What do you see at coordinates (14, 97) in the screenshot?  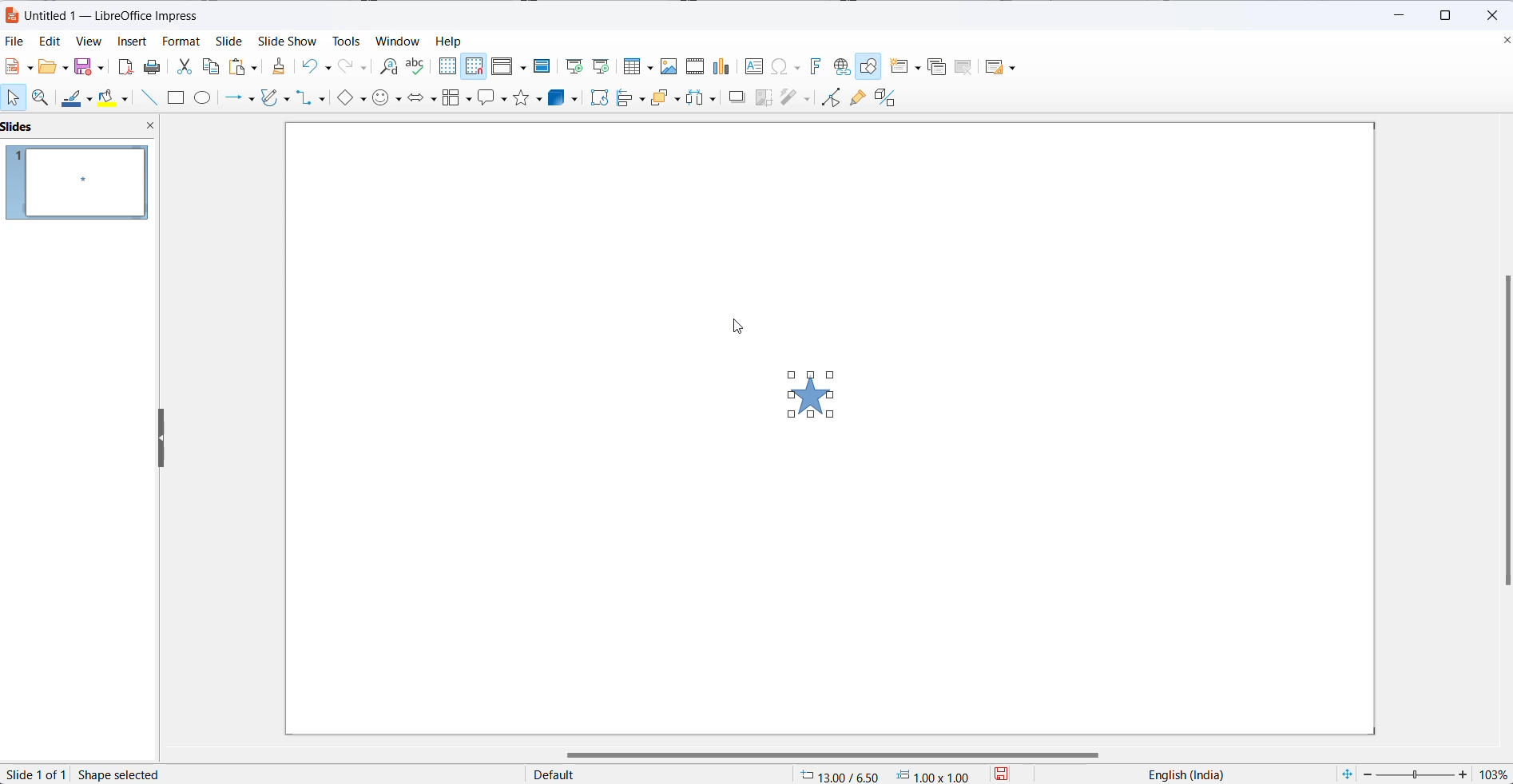 I see `select` at bounding box center [14, 97].